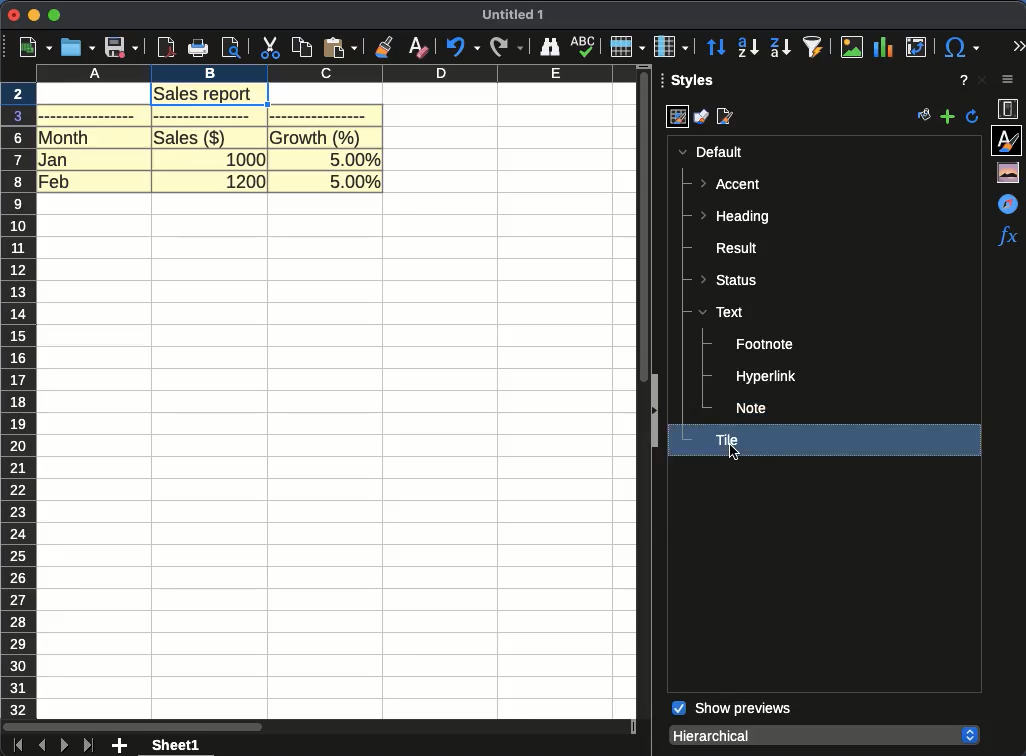  I want to click on redo, so click(507, 48).